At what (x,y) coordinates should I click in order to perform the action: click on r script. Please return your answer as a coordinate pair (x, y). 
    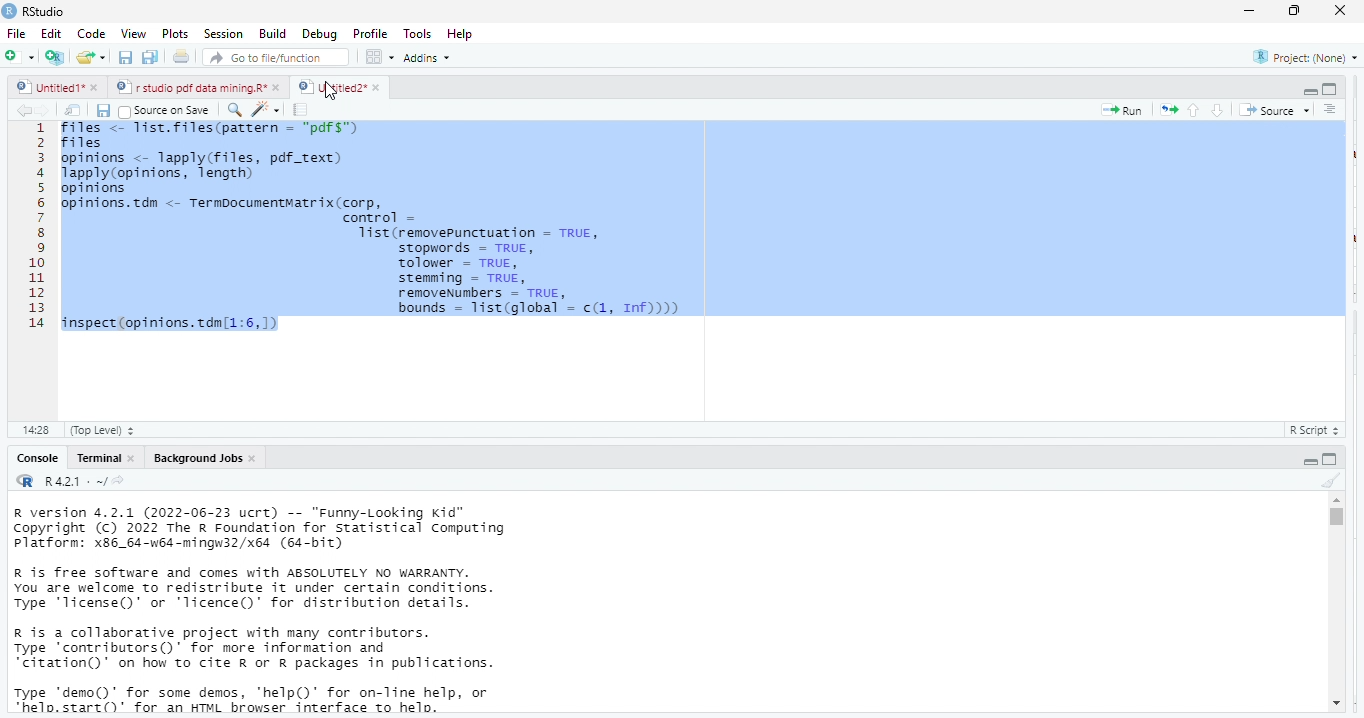
    Looking at the image, I should click on (1319, 430).